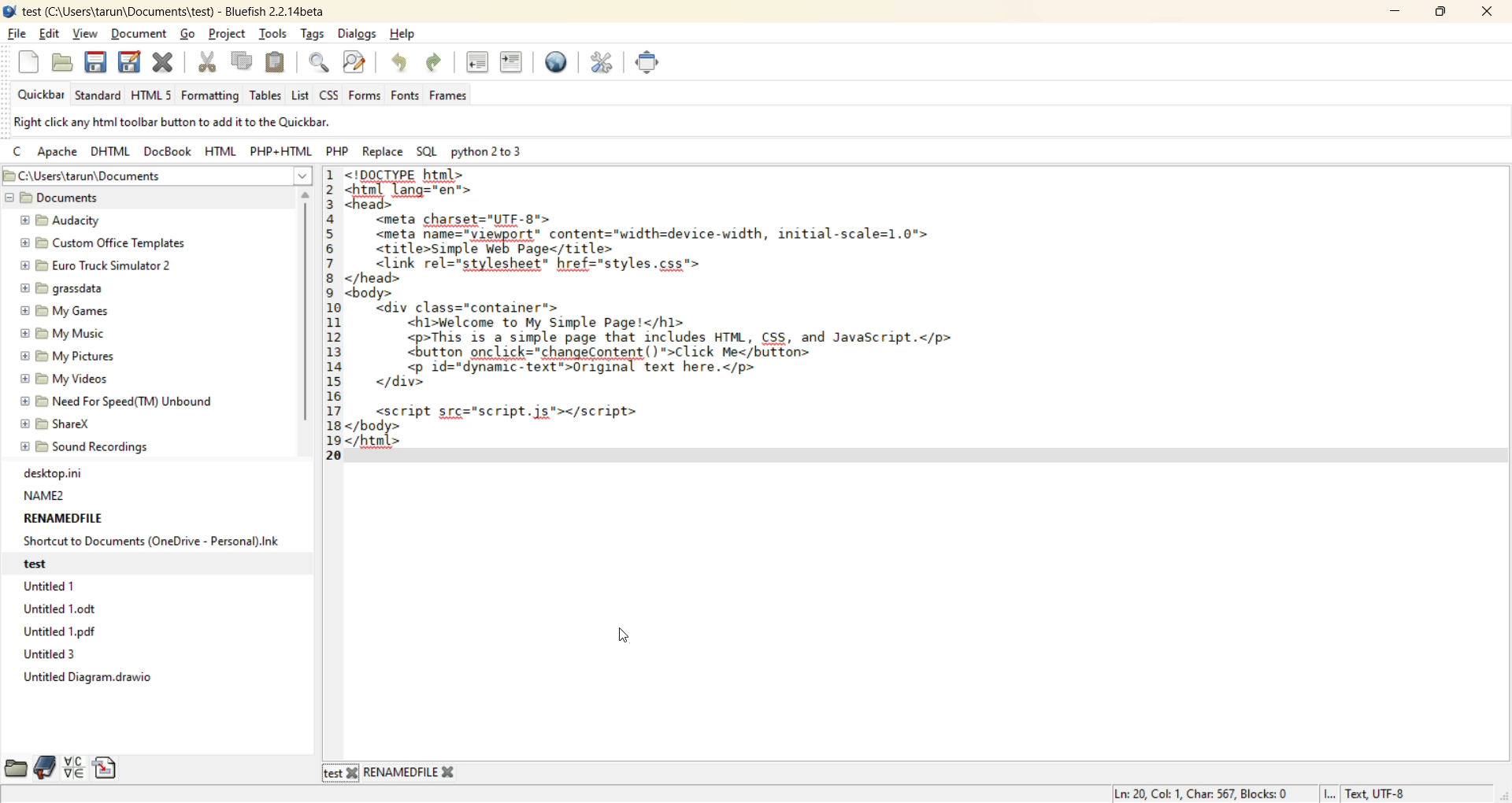 This screenshot has height=803, width=1512. What do you see at coordinates (332, 324) in the screenshot?
I see `line no.` at bounding box center [332, 324].